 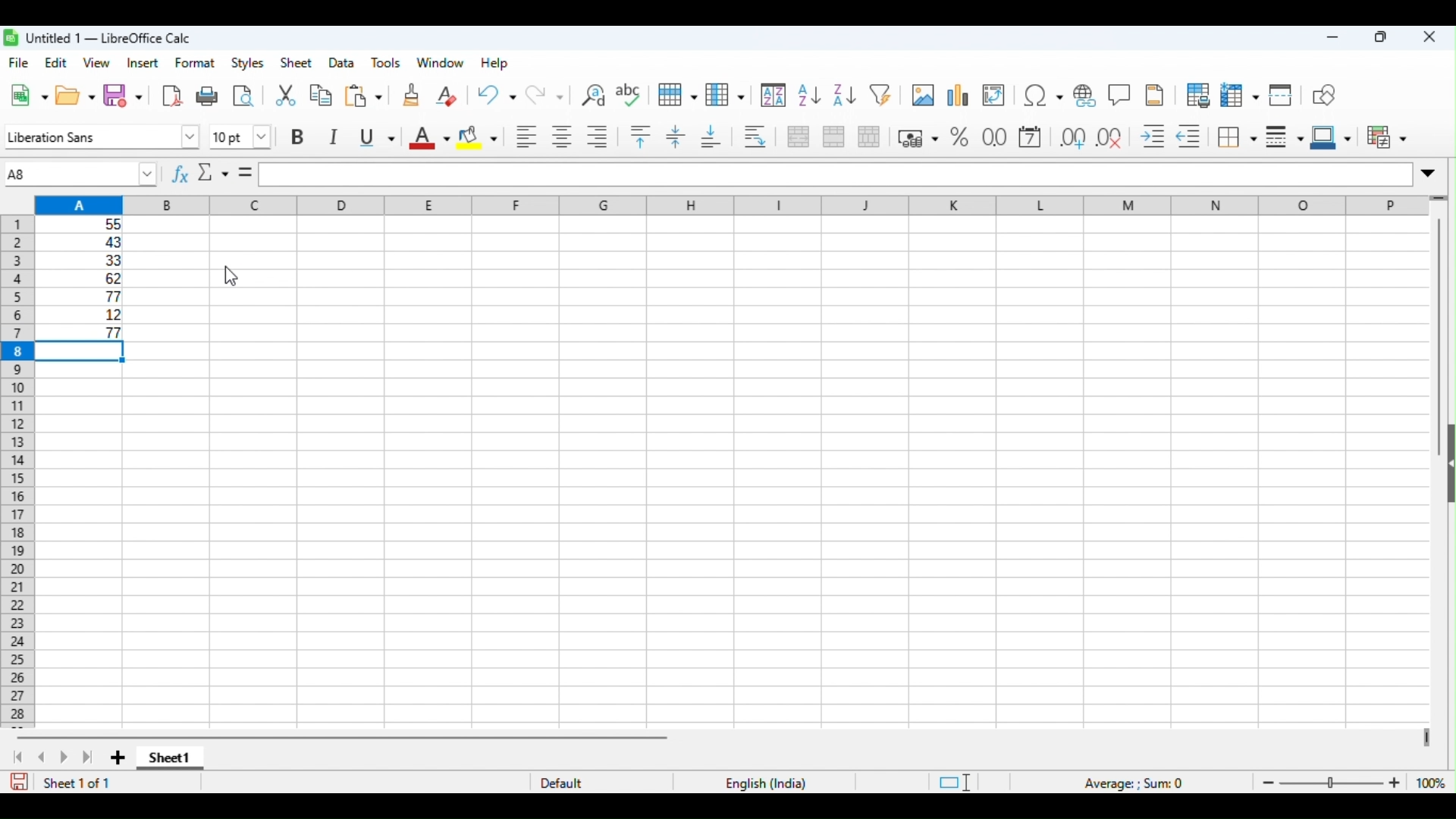 What do you see at coordinates (1237, 137) in the screenshot?
I see `border` at bounding box center [1237, 137].